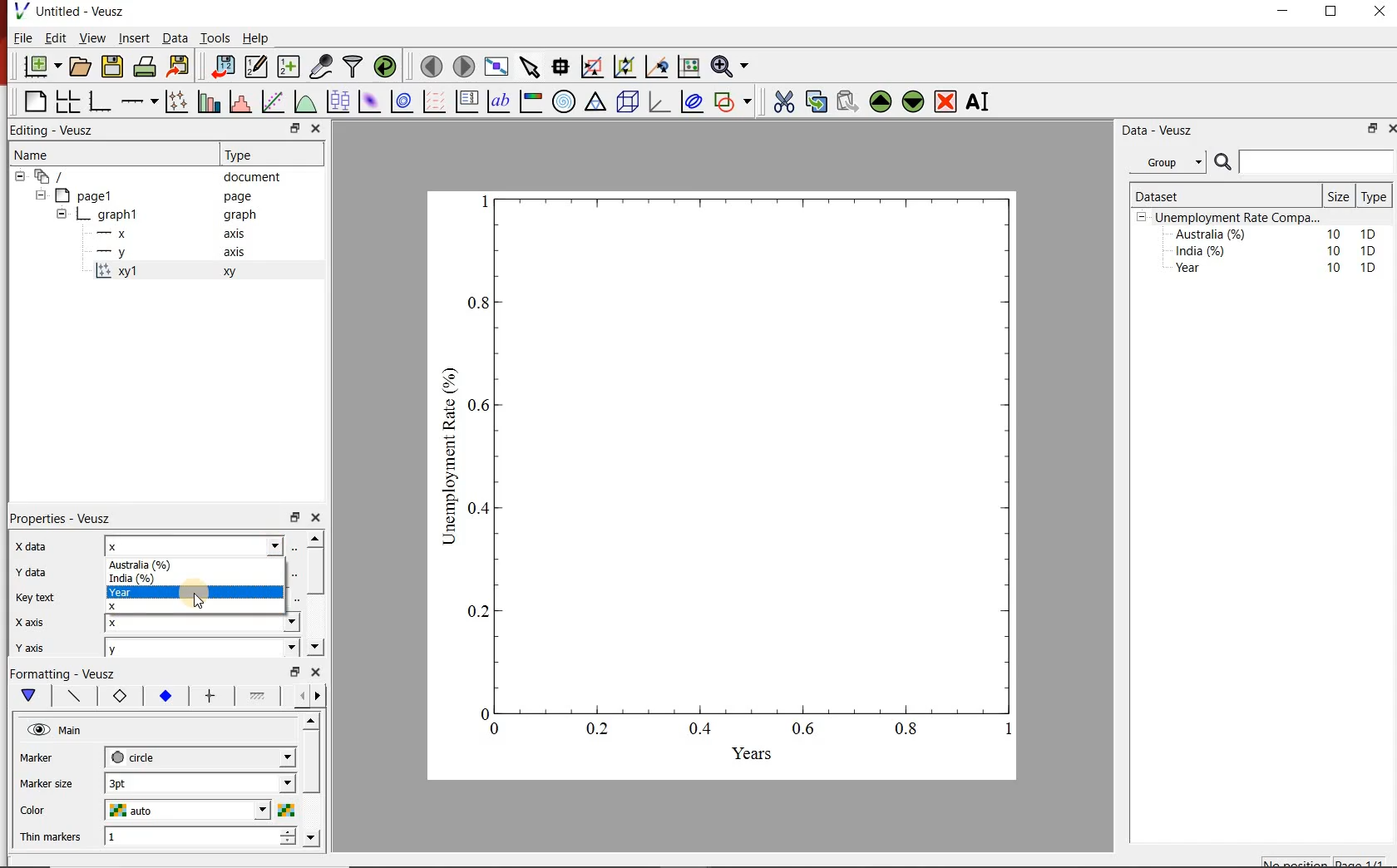  What do you see at coordinates (338, 101) in the screenshot?
I see `plot box plots` at bounding box center [338, 101].